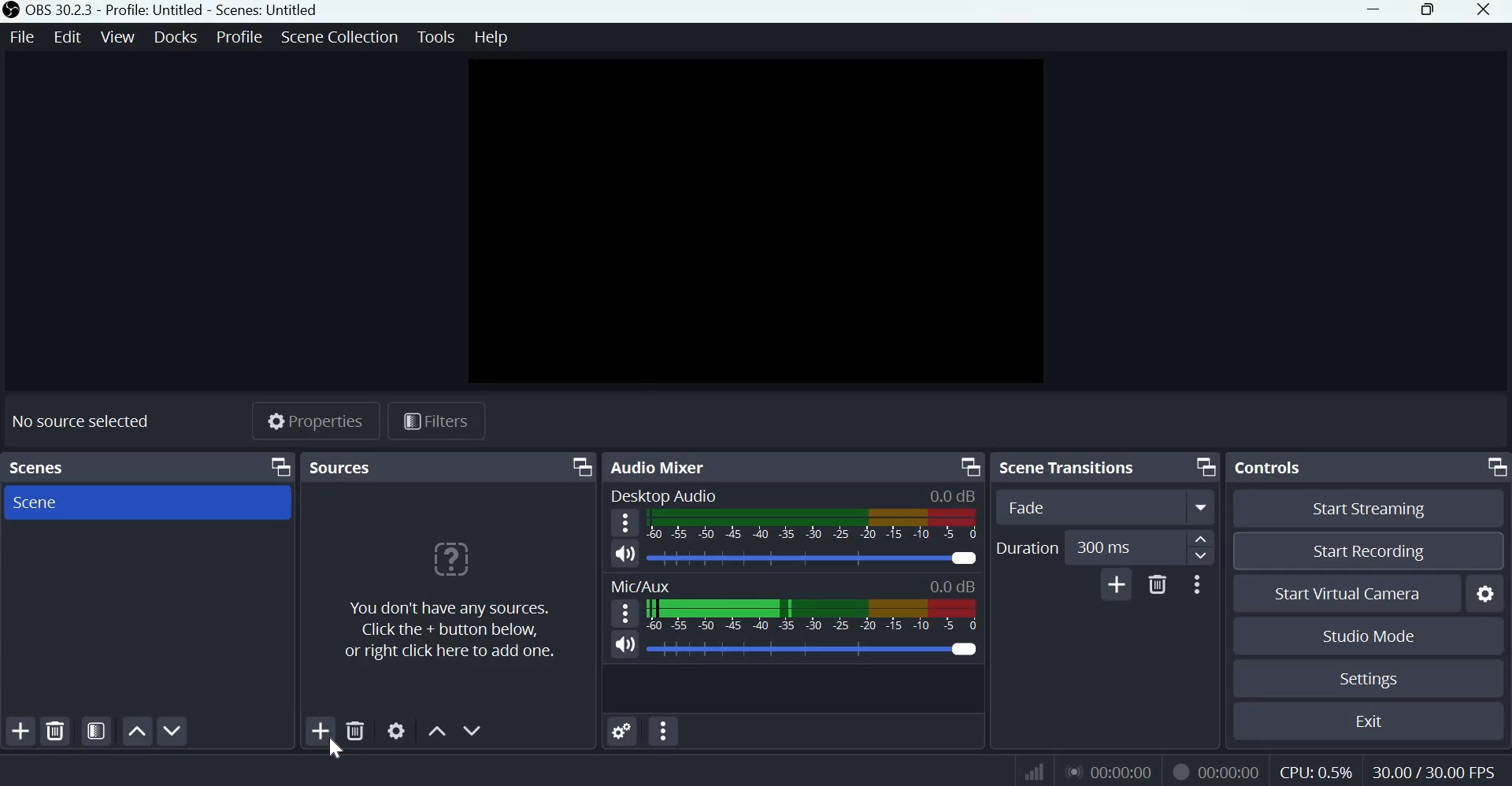  What do you see at coordinates (815, 558) in the screenshot?
I see `Audio Slider` at bounding box center [815, 558].